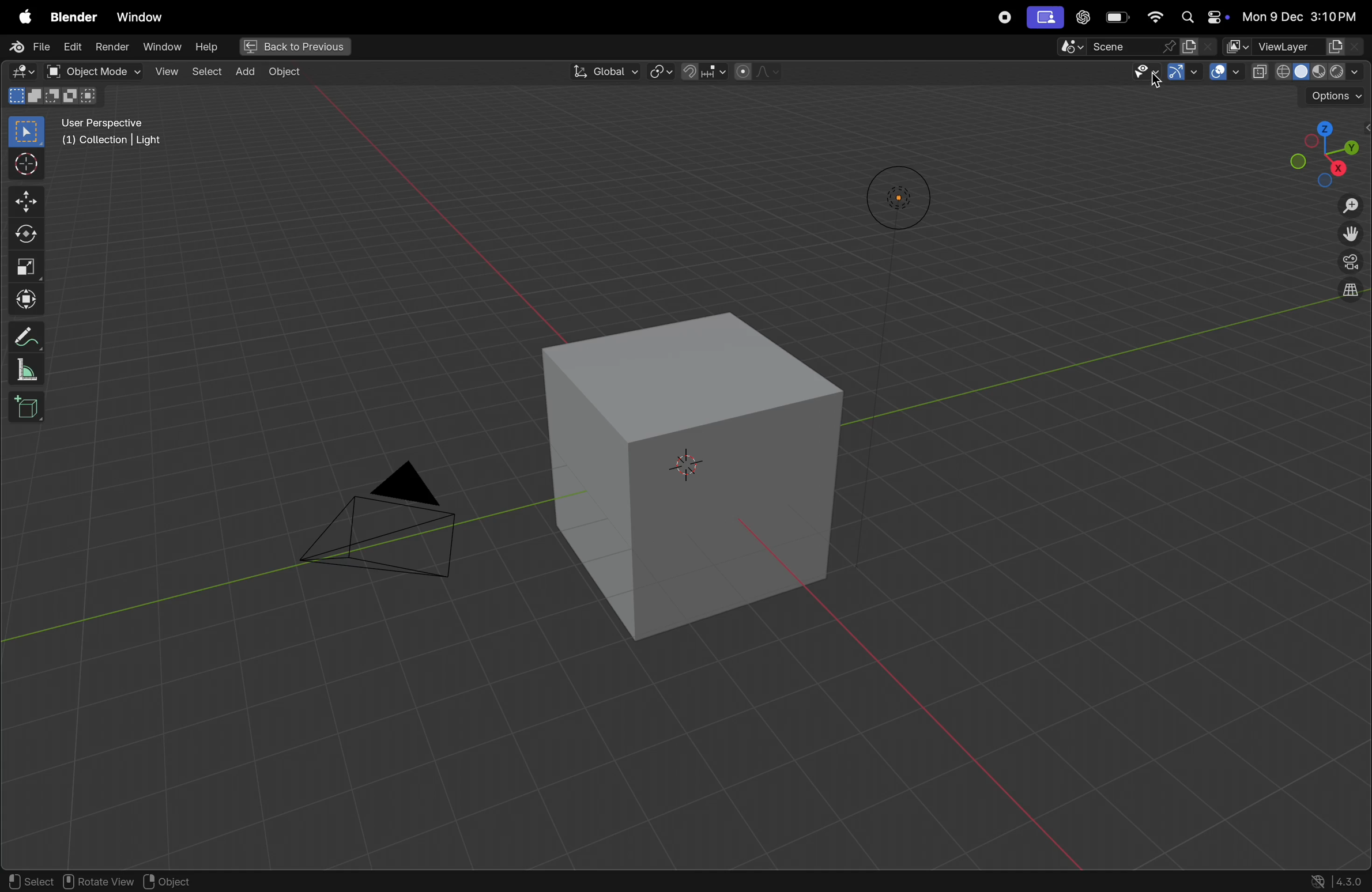  I want to click on versiom, so click(1337, 882).